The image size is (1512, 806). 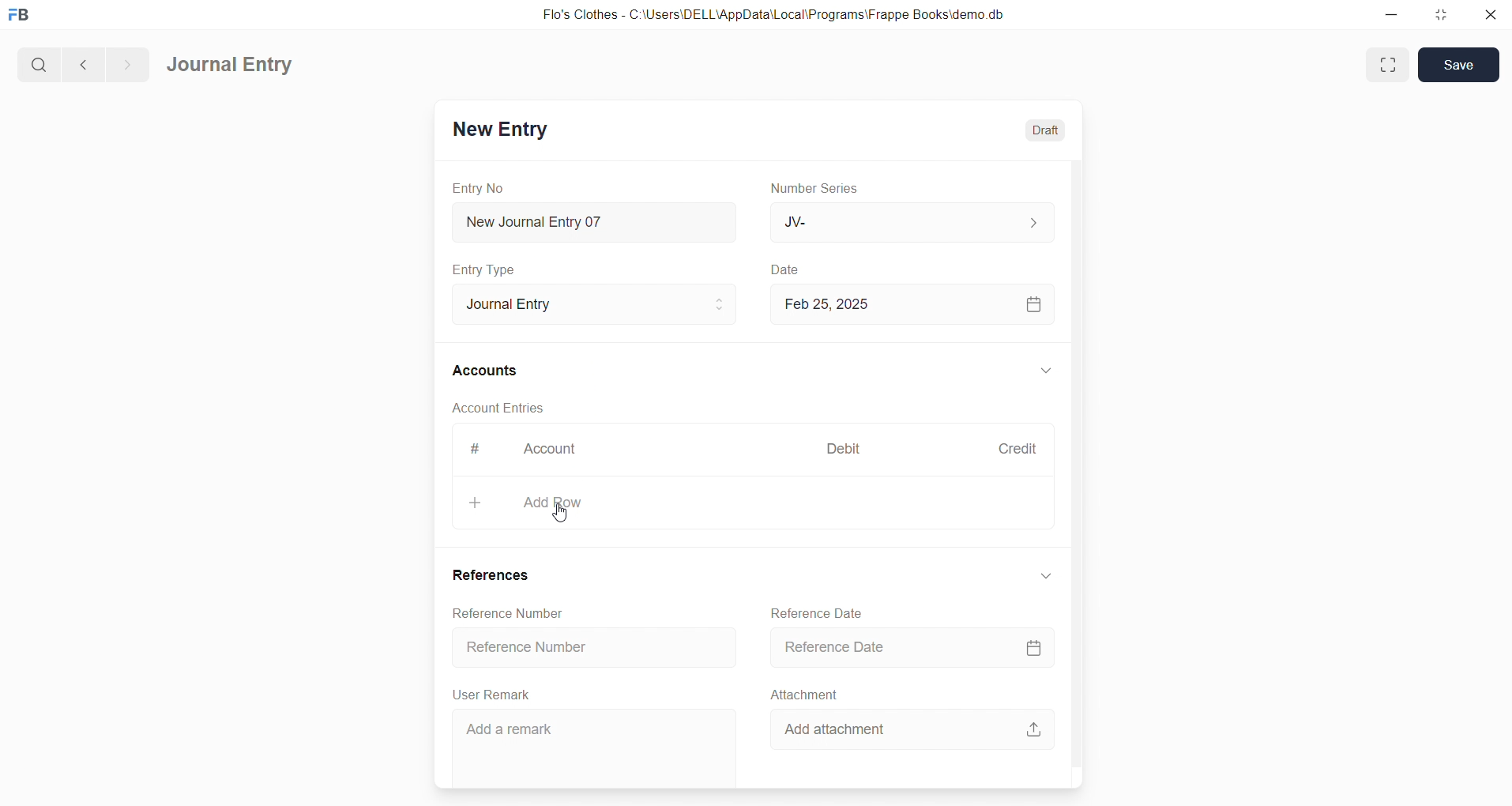 I want to click on Date, so click(x=785, y=269).